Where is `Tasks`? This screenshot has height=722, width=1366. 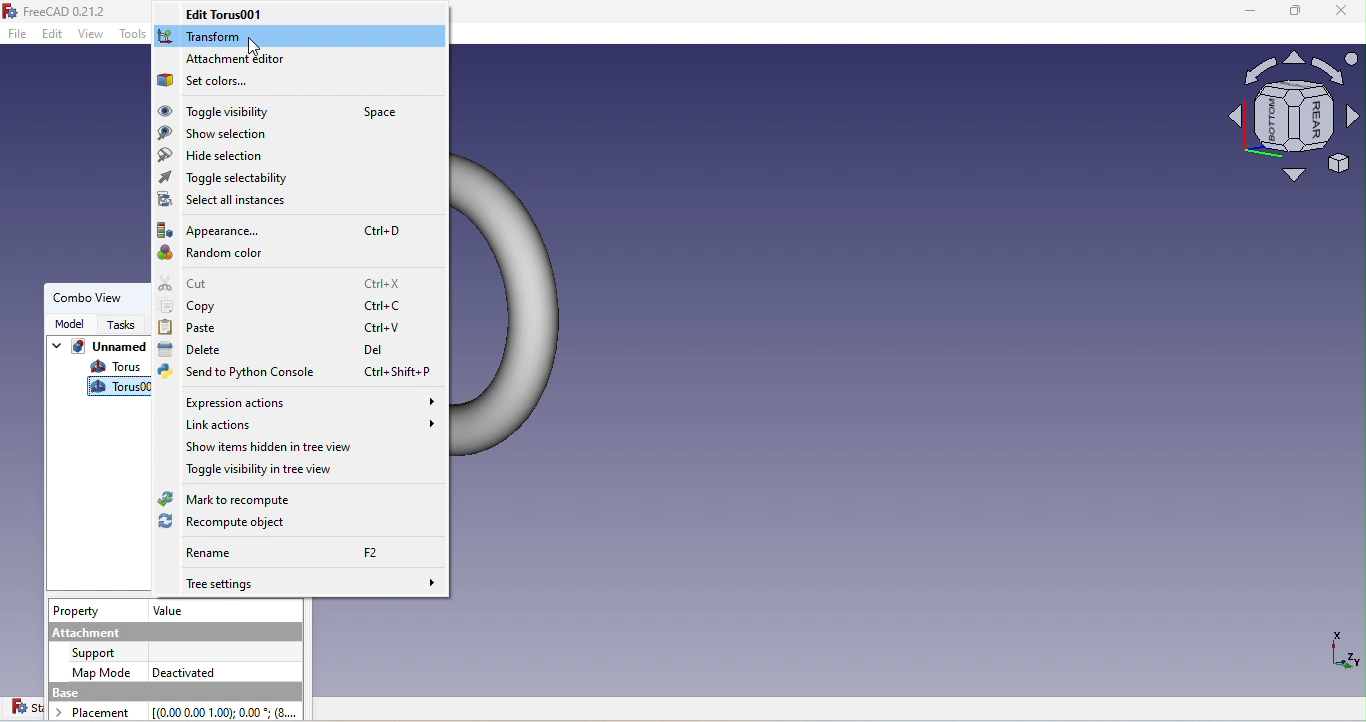 Tasks is located at coordinates (115, 325).